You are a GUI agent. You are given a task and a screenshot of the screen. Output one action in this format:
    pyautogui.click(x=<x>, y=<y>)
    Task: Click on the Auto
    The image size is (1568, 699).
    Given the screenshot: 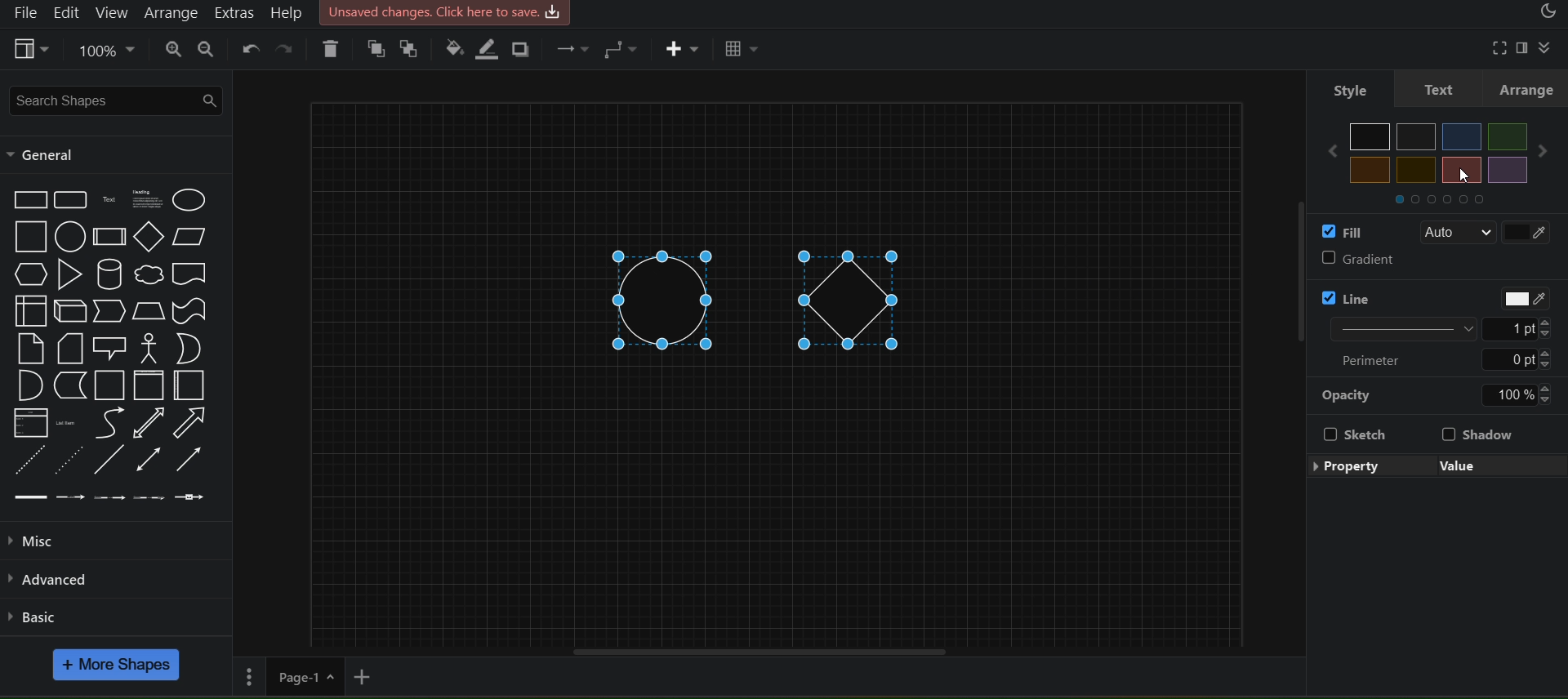 What is the action you would take?
    pyautogui.click(x=1450, y=230)
    